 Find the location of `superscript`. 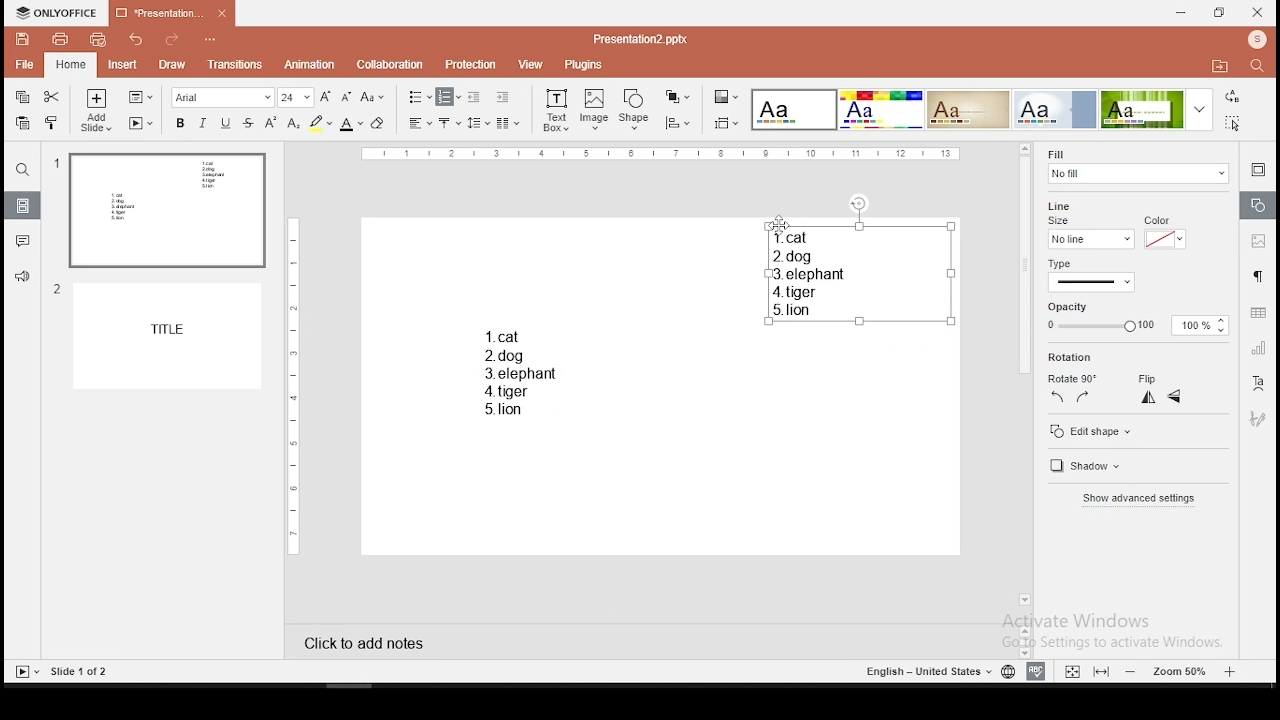

superscript is located at coordinates (271, 123).